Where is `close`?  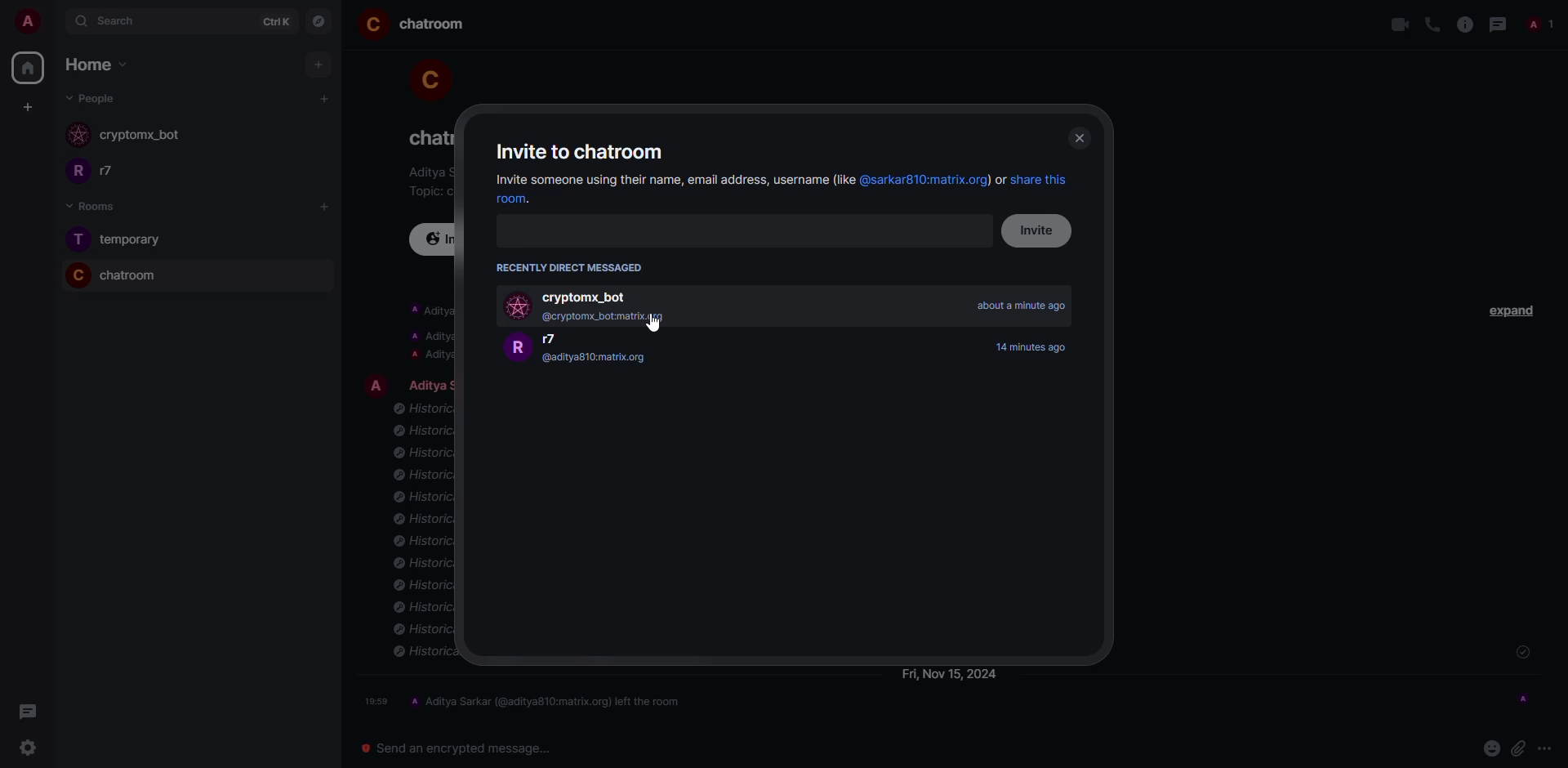
close is located at coordinates (1078, 138).